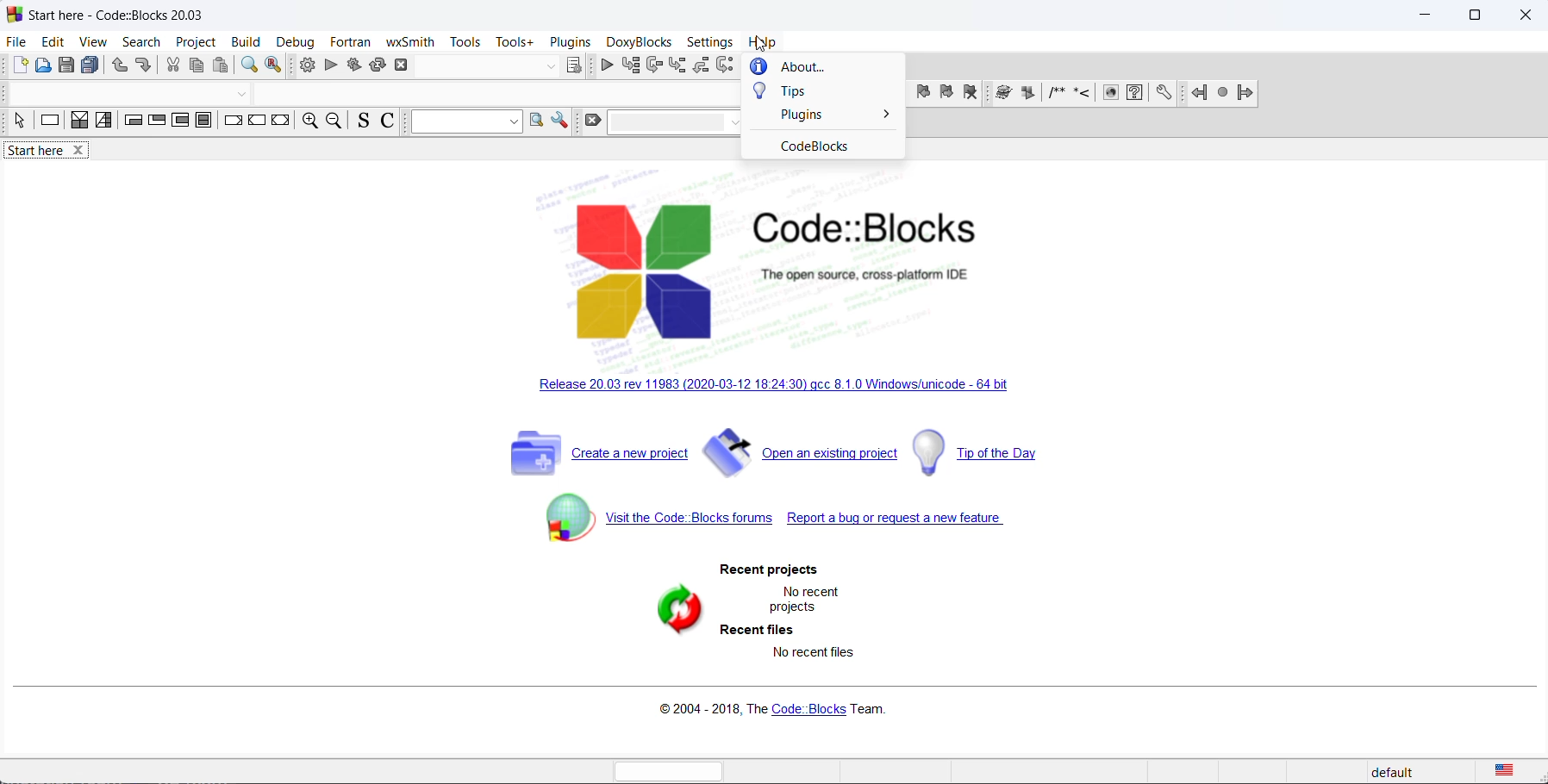 The width and height of the screenshot is (1548, 784). What do you see at coordinates (244, 43) in the screenshot?
I see `build` at bounding box center [244, 43].